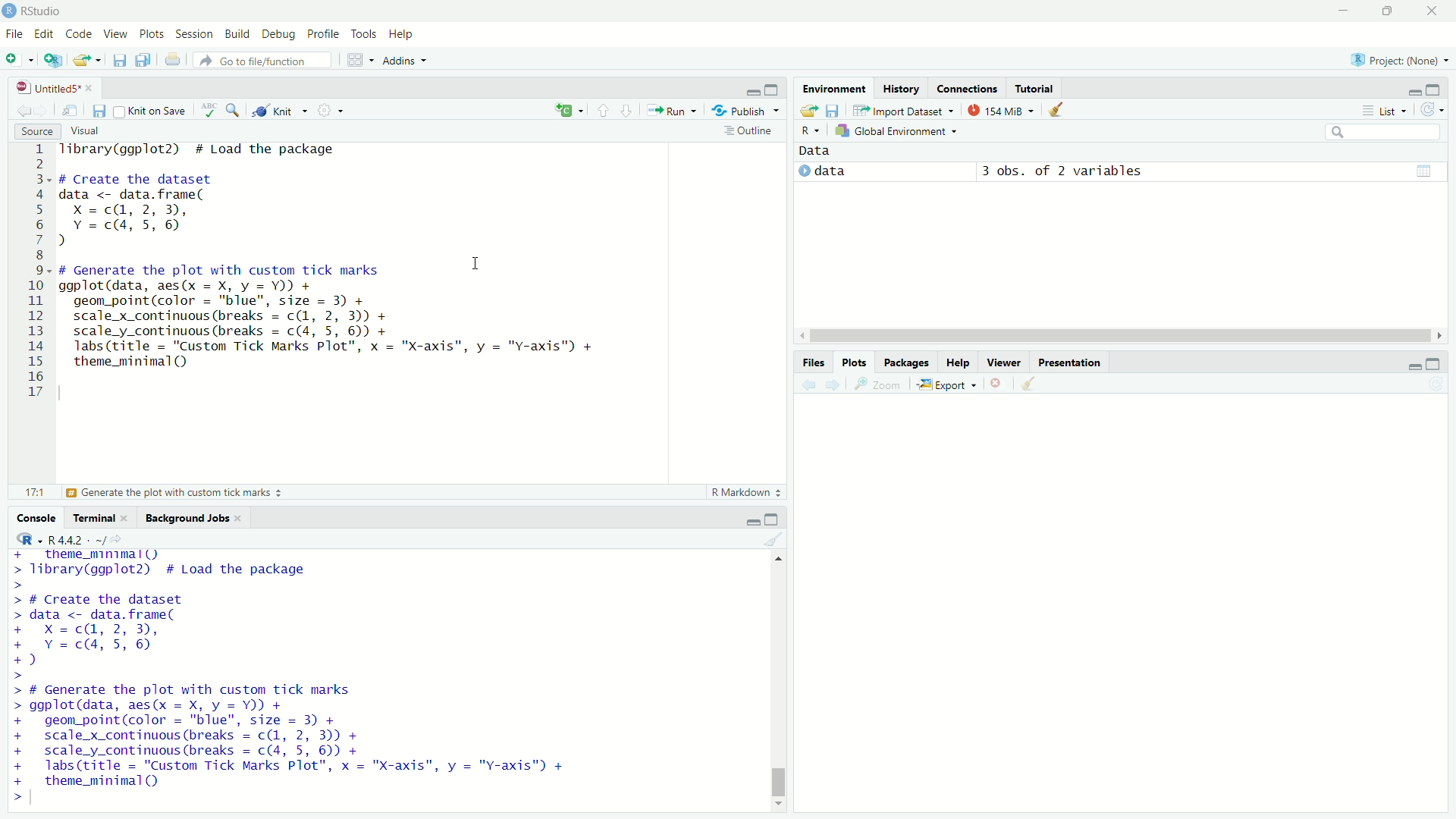 The width and height of the screenshot is (1456, 819). I want to click on environment, so click(835, 87).